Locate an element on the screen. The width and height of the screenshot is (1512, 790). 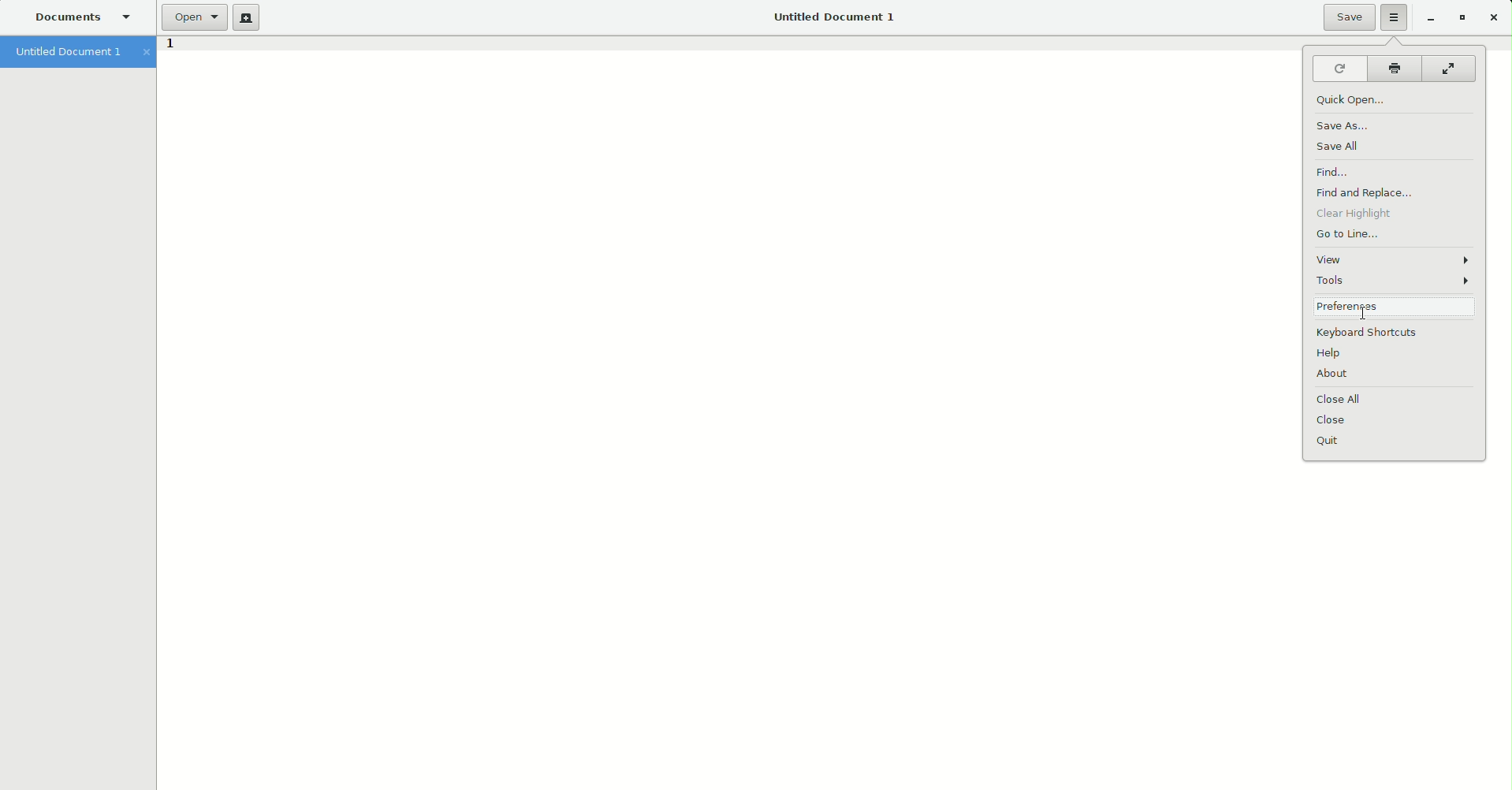
1 is located at coordinates (169, 47).